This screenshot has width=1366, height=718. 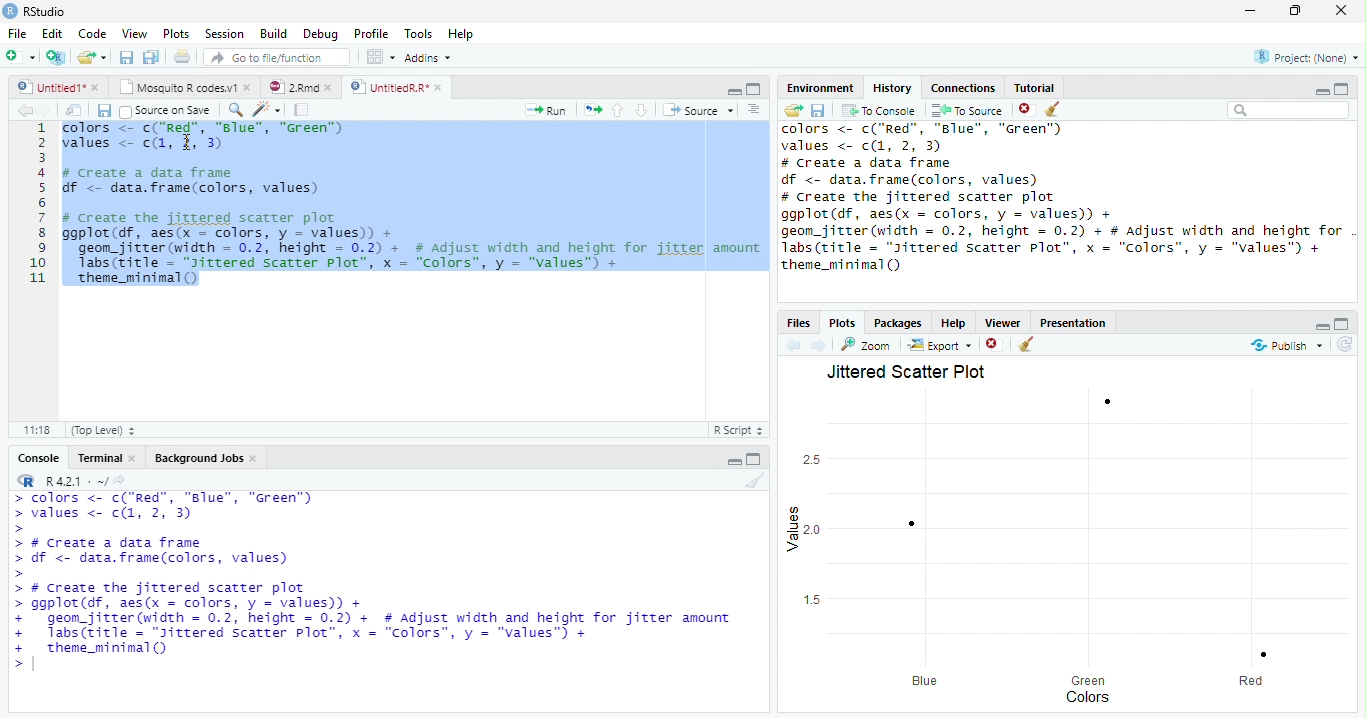 What do you see at coordinates (968, 110) in the screenshot?
I see `To Source` at bounding box center [968, 110].